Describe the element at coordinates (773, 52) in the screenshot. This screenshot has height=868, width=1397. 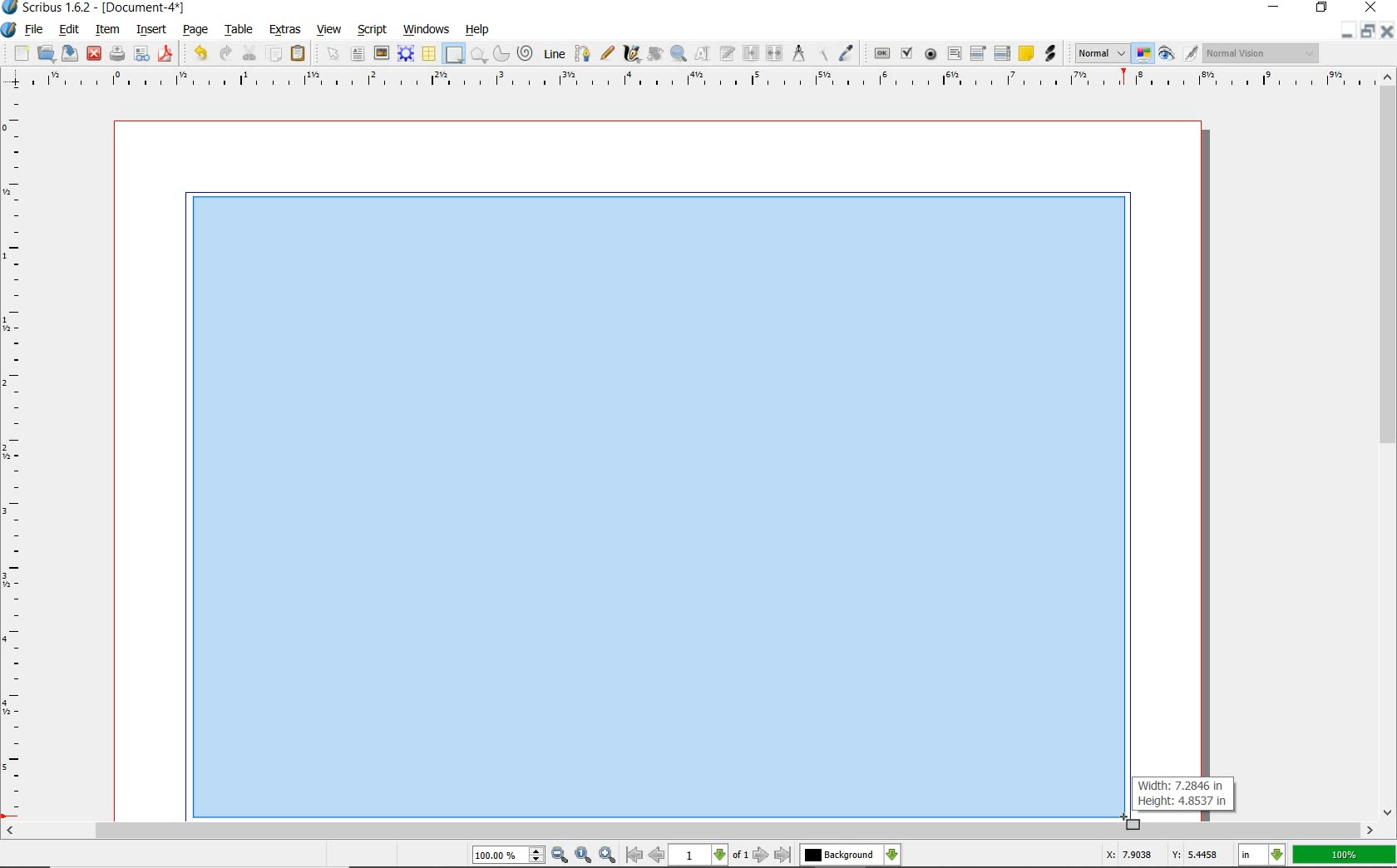
I see `unlink text frames` at that location.